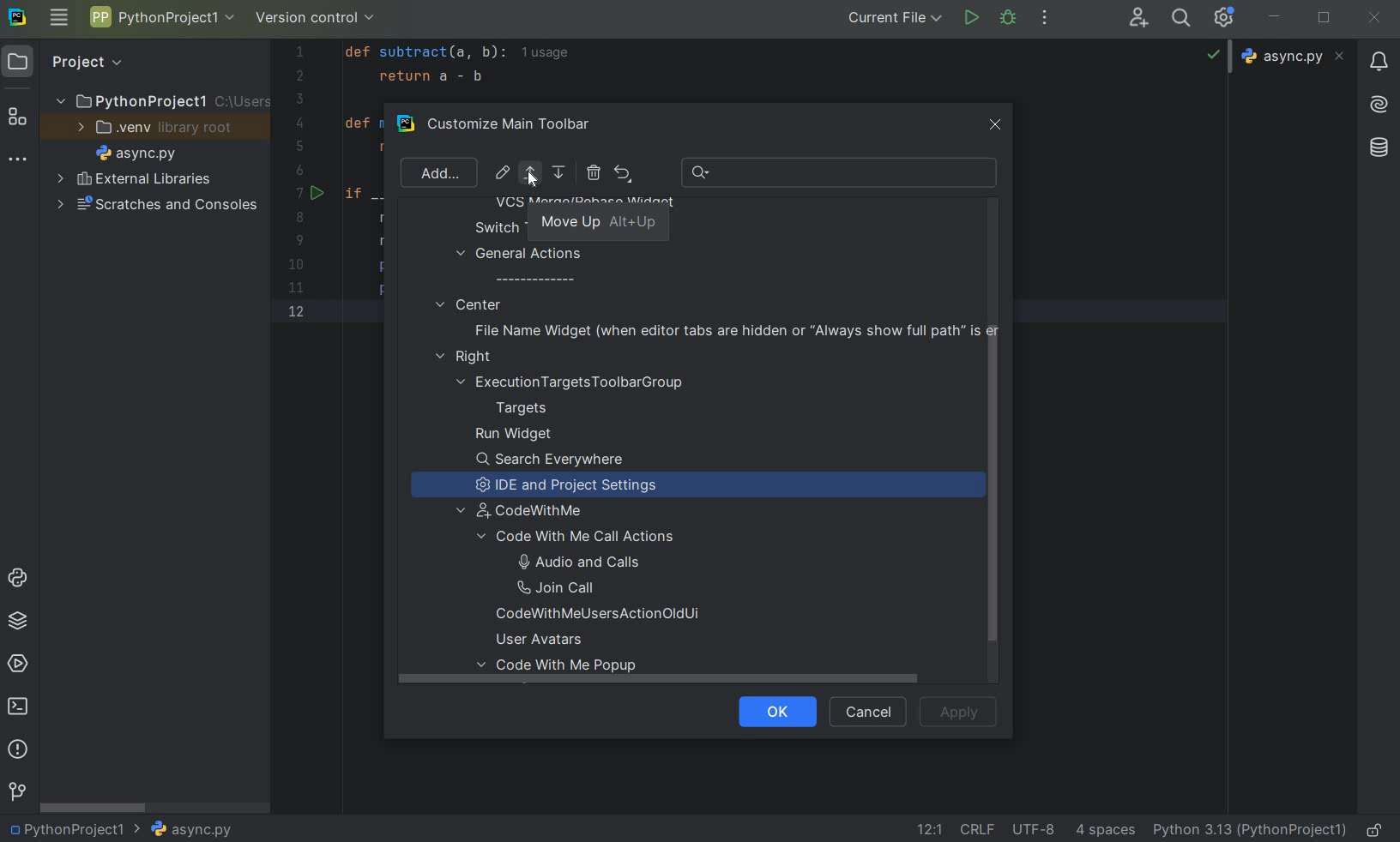 The height and width of the screenshot is (842, 1400). I want to click on PROJECT NAME, so click(75, 827).